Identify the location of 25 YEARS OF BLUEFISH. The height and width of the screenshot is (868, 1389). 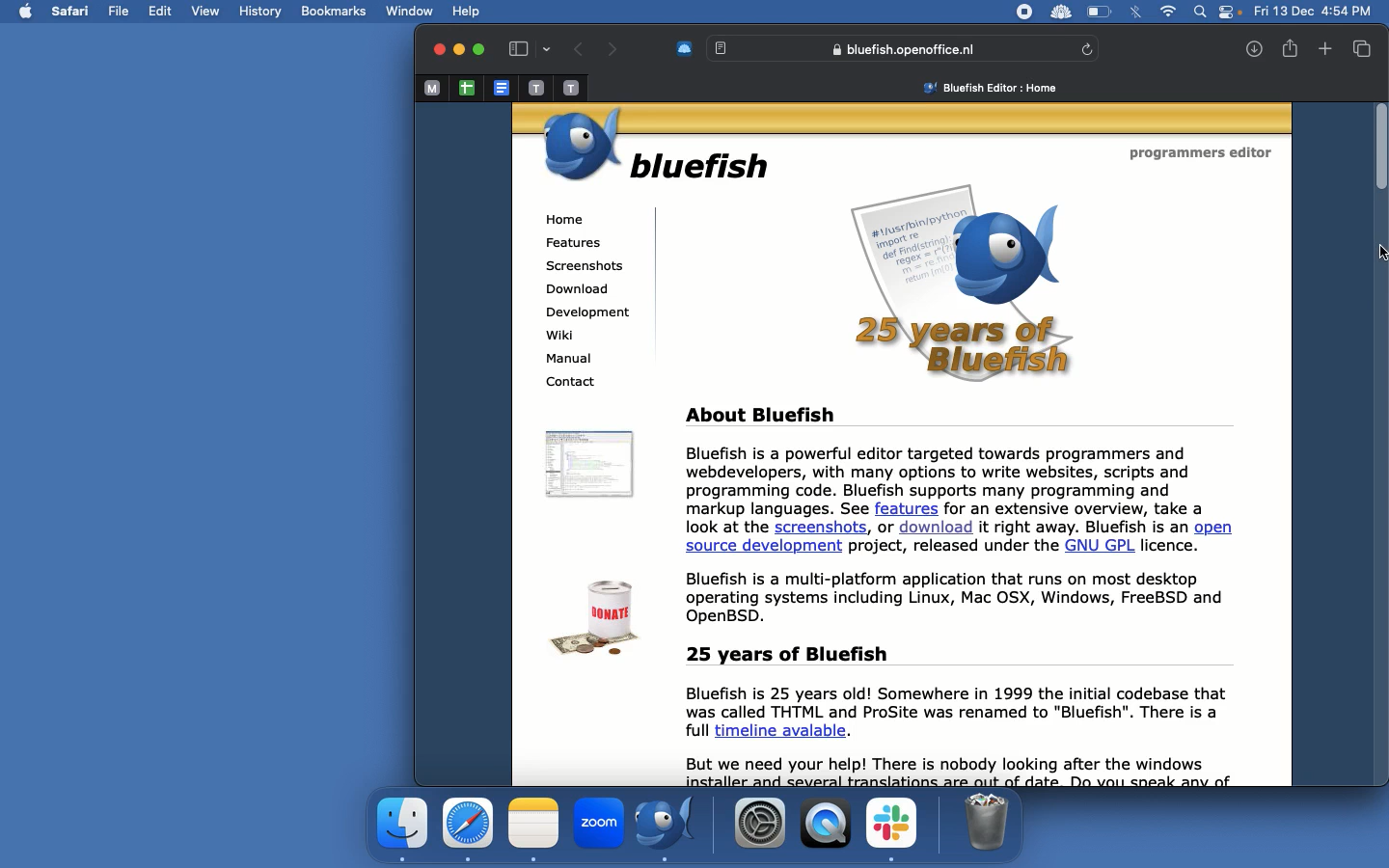
(975, 279).